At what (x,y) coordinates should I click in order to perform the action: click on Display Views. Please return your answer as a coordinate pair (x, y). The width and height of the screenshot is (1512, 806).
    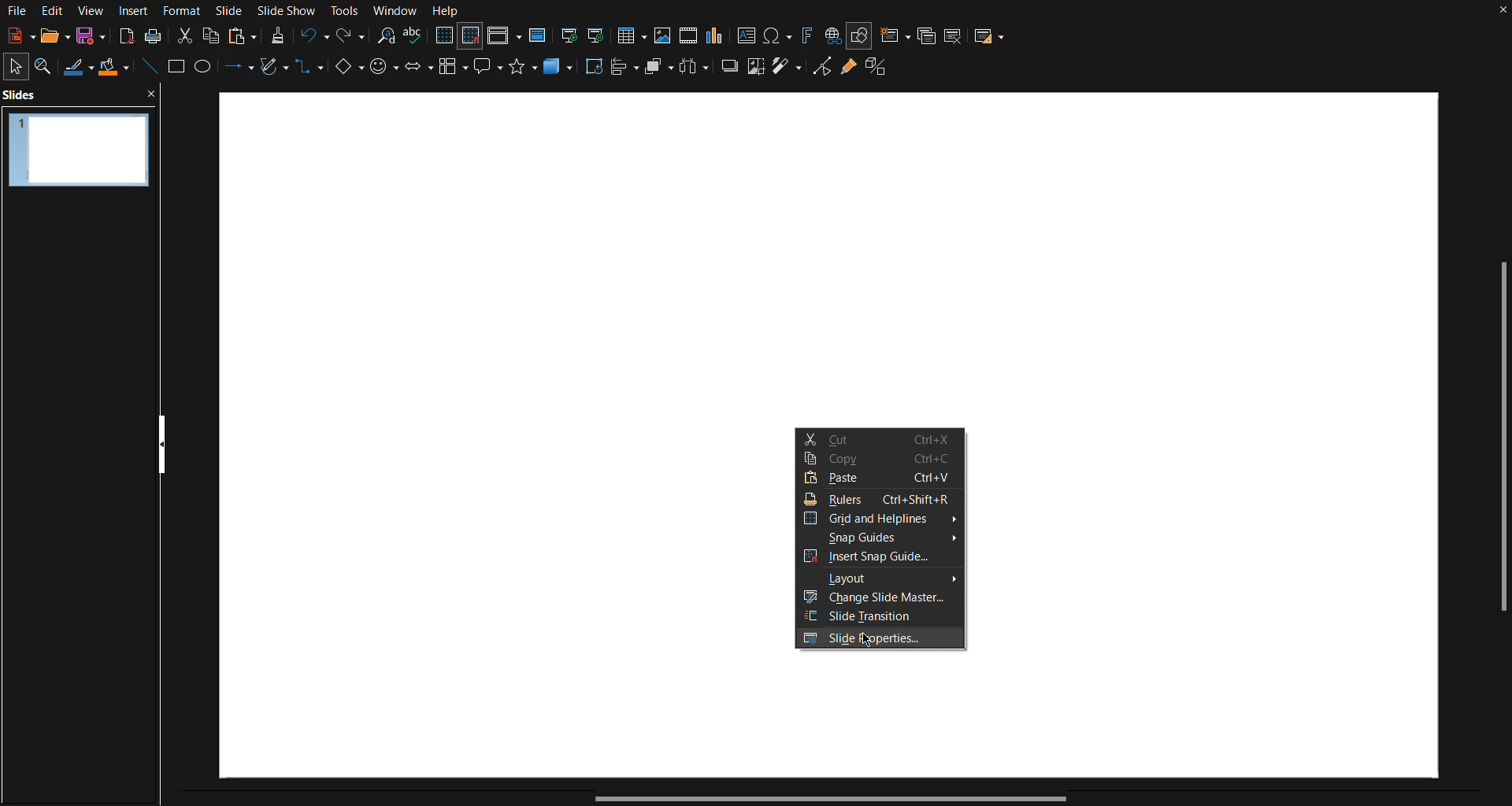
    Looking at the image, I should click on (505, 36).